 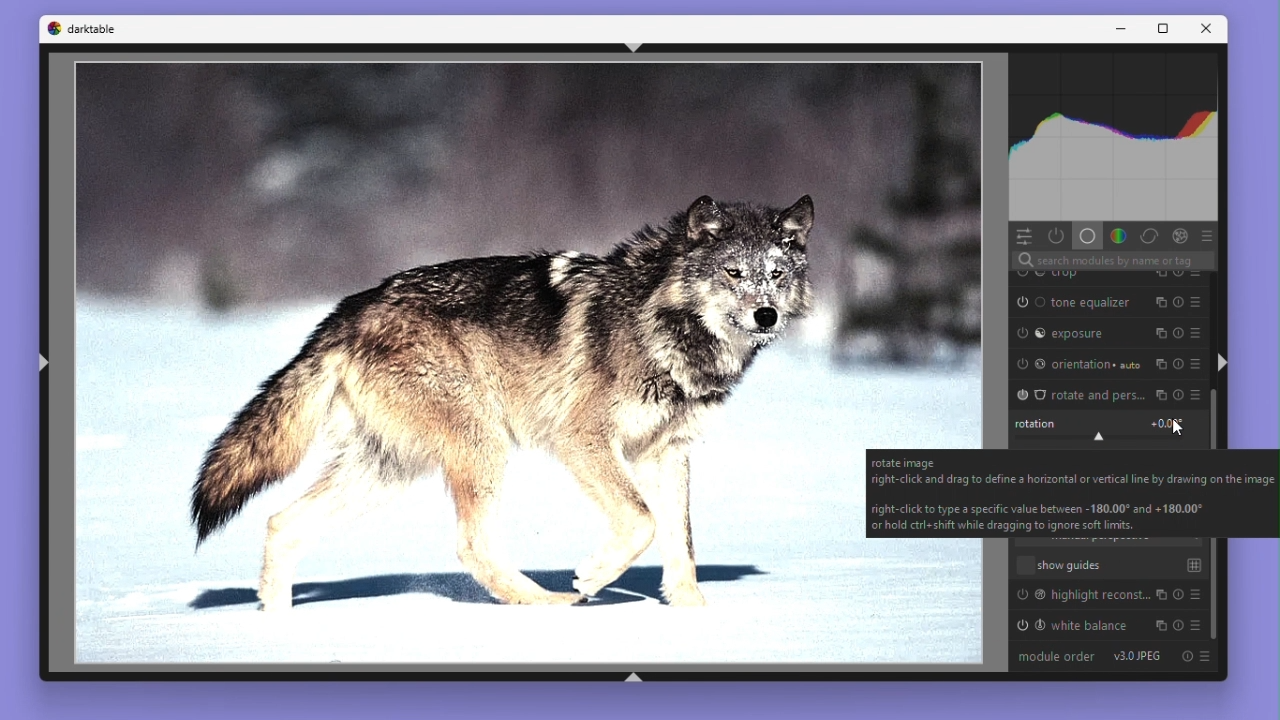 What do you see at coordinates (1118, 235) in the screenshot?
I see `Colour` at bounding box center [1118, 235].